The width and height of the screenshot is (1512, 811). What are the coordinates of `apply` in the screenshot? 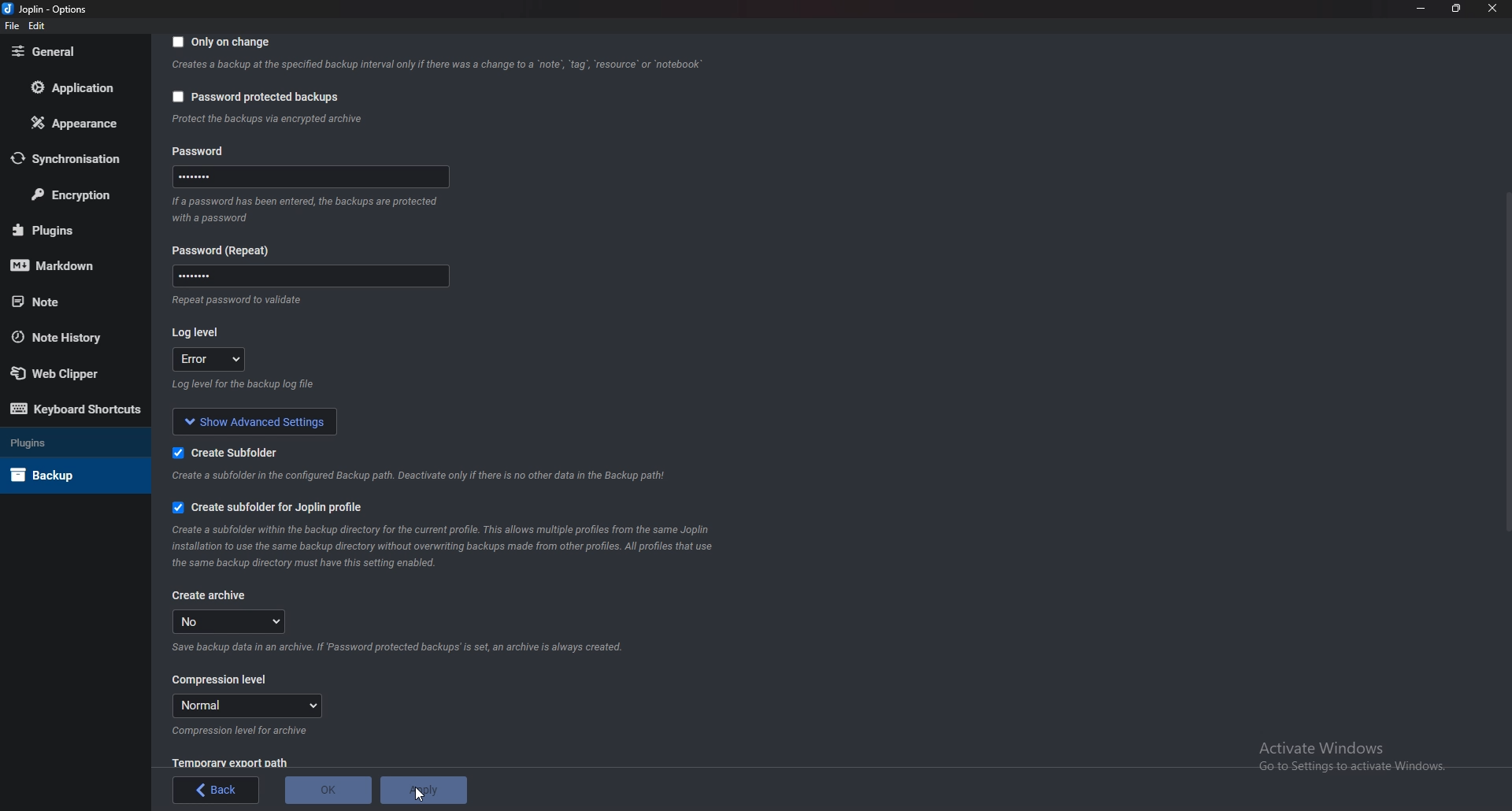 It's located at (428, 788).